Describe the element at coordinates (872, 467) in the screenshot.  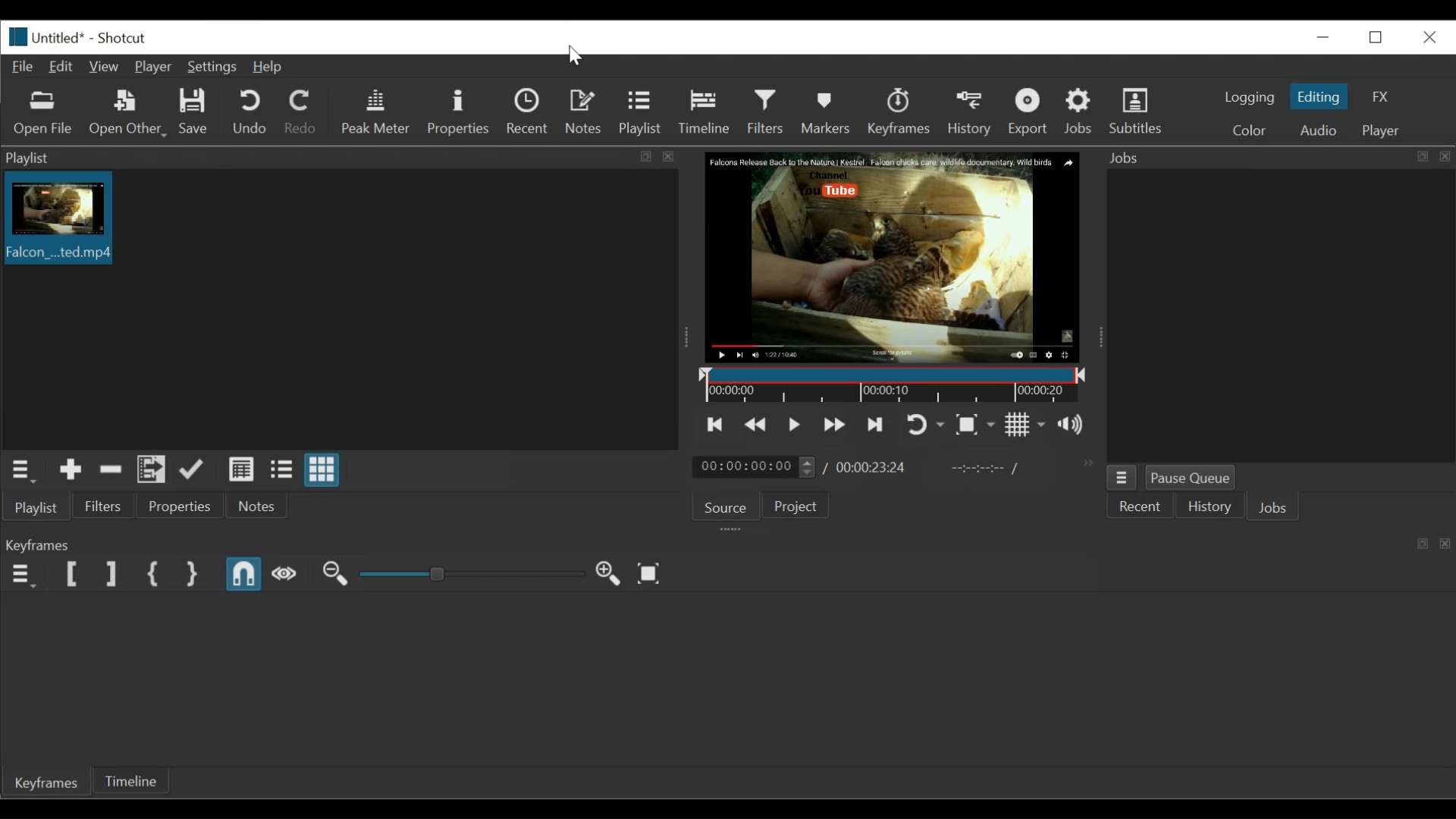
I see `00:00:23:24` at that location.